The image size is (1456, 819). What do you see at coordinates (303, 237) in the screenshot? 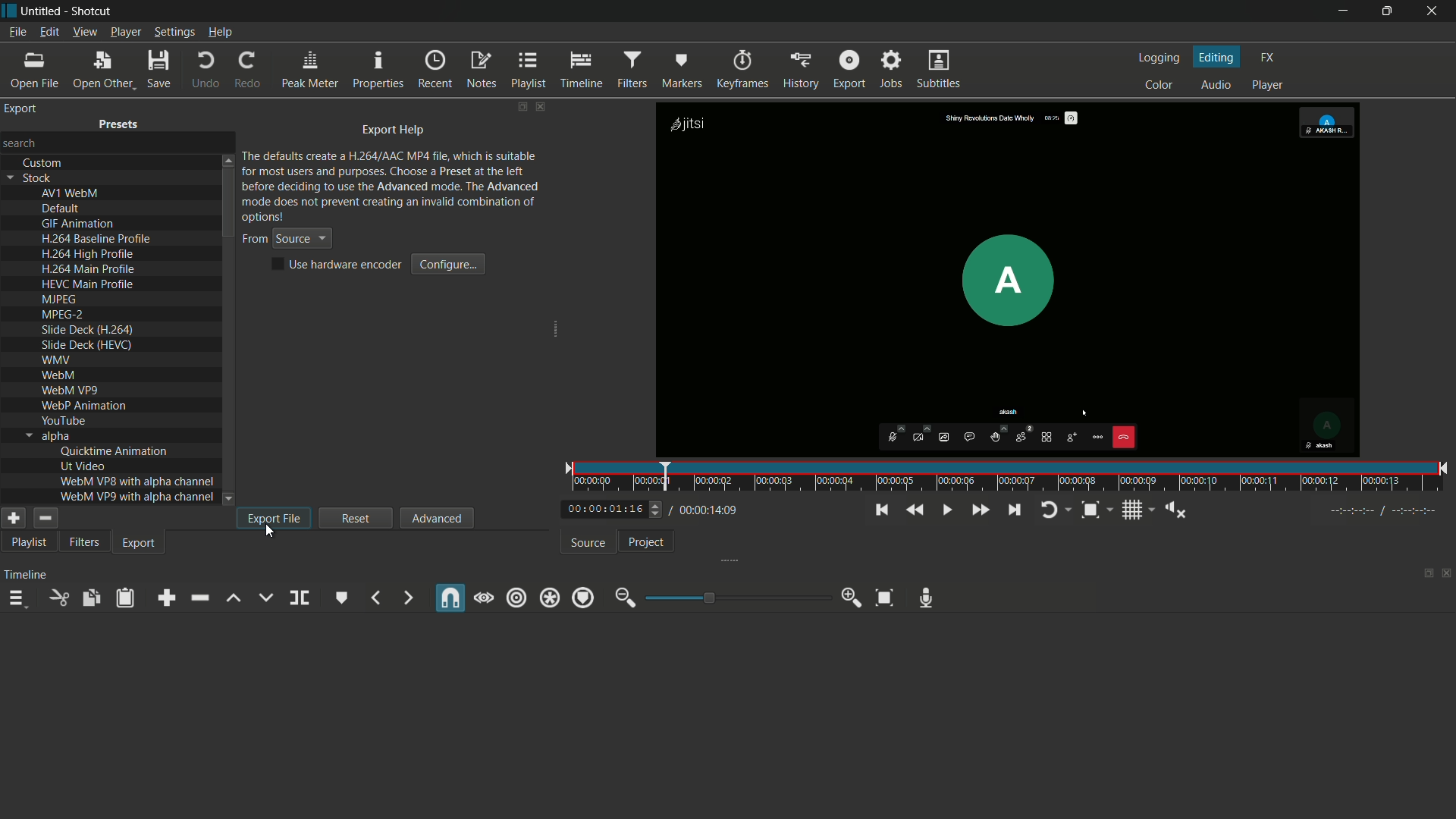
I see `source dropdown` at bounding box center [303, 237].